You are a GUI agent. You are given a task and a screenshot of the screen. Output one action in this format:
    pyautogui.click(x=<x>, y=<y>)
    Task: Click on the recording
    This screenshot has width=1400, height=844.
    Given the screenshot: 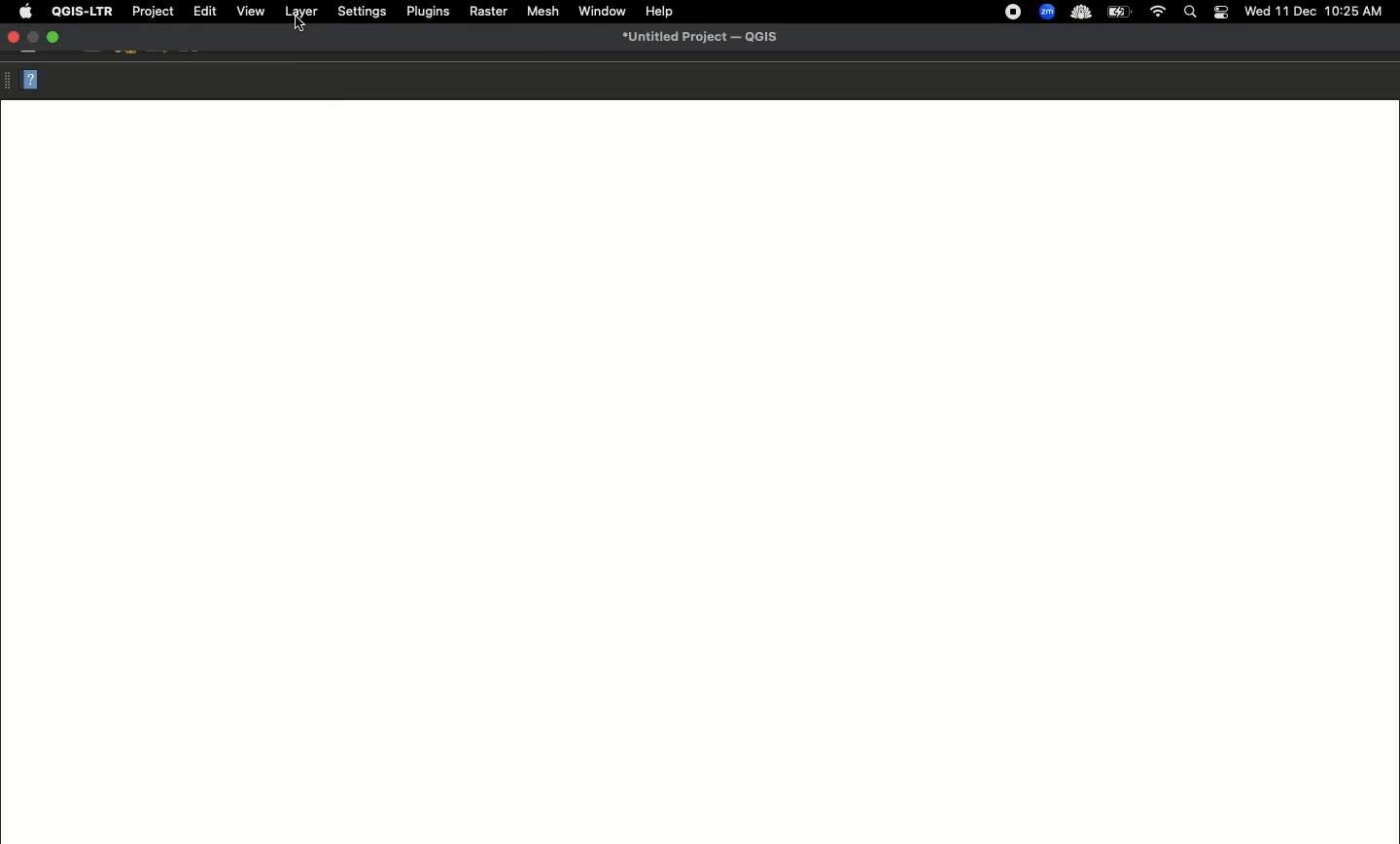 What is the action you would take?
    pyautogui.click(x=1008, y=12)
    